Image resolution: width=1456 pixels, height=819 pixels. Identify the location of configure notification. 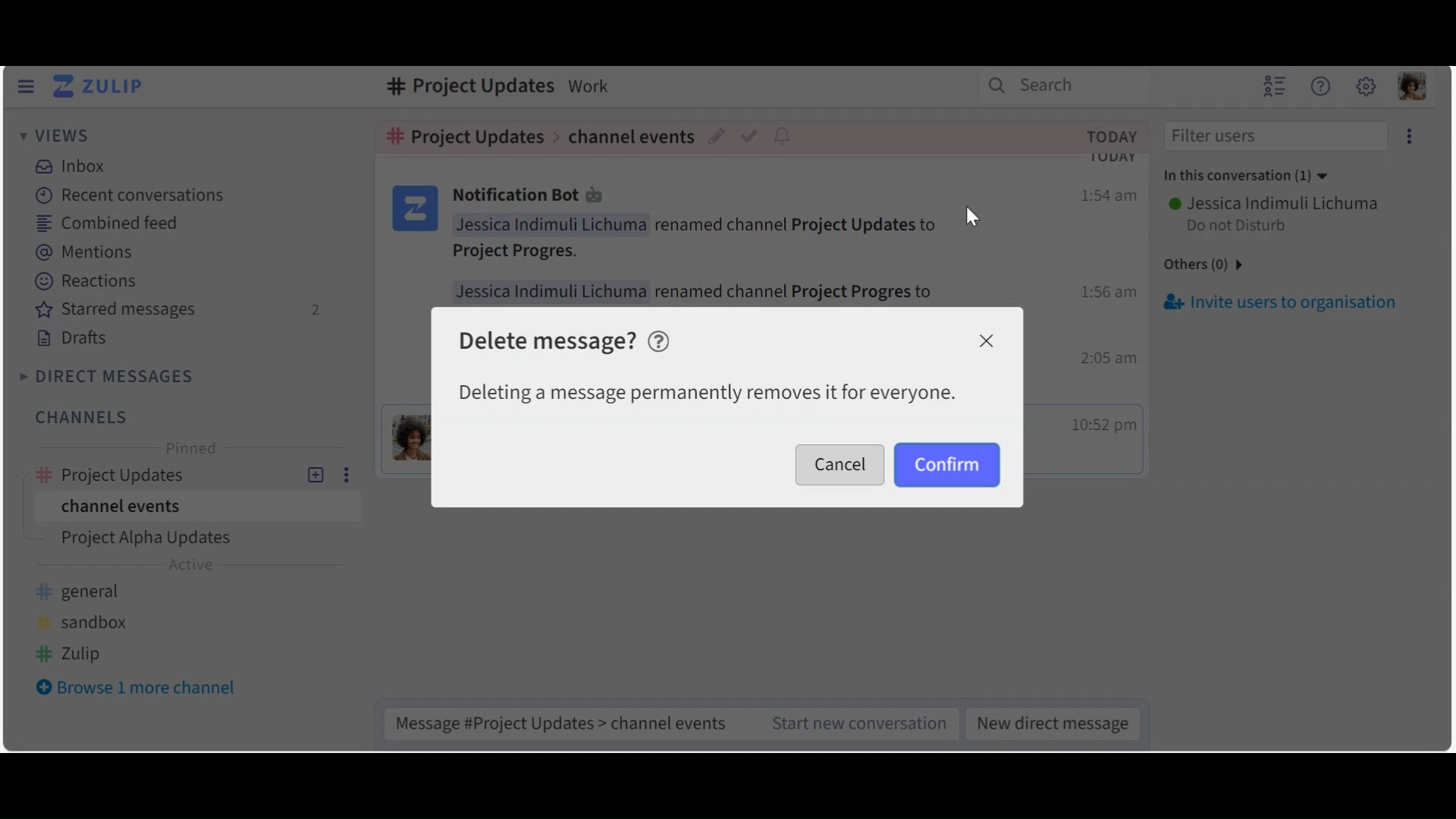
(781, 136).